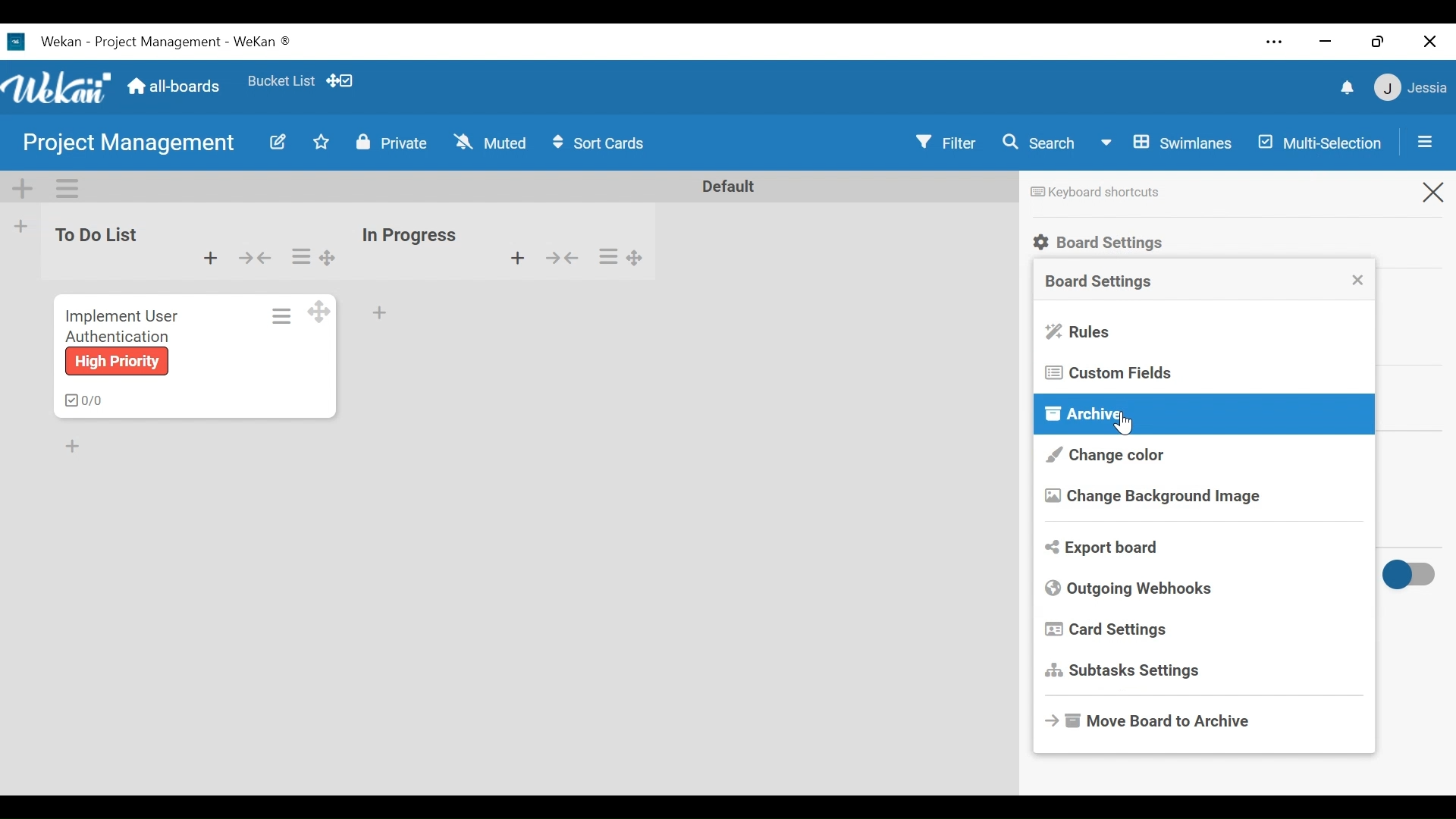 This screenshot has height=819, width=1456. Describe the element at coordinates (1322, 141) in the screenshot. I see `Multi-selection` at that location.